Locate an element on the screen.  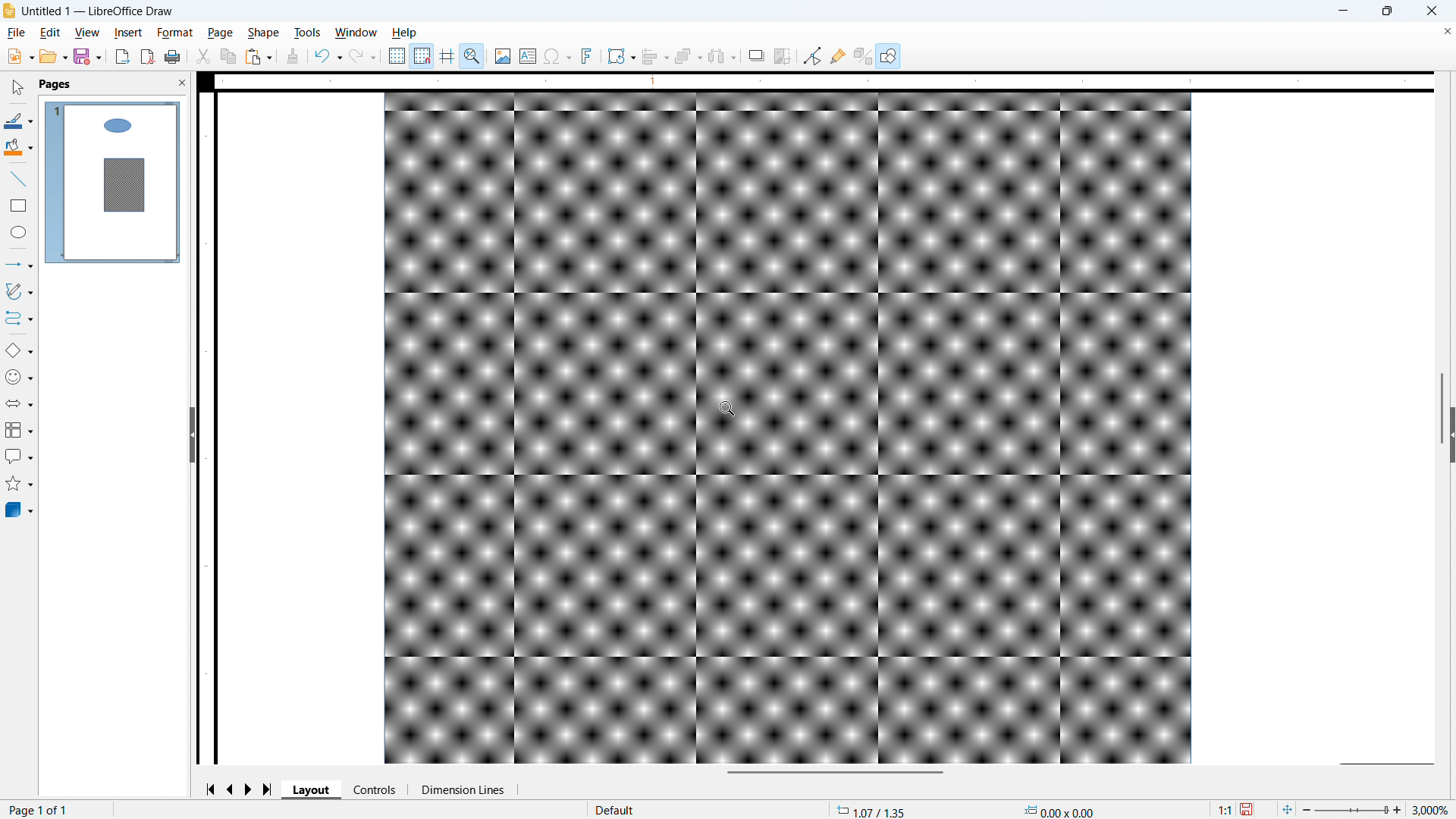
Edit  is located at coordinates (51, 33).